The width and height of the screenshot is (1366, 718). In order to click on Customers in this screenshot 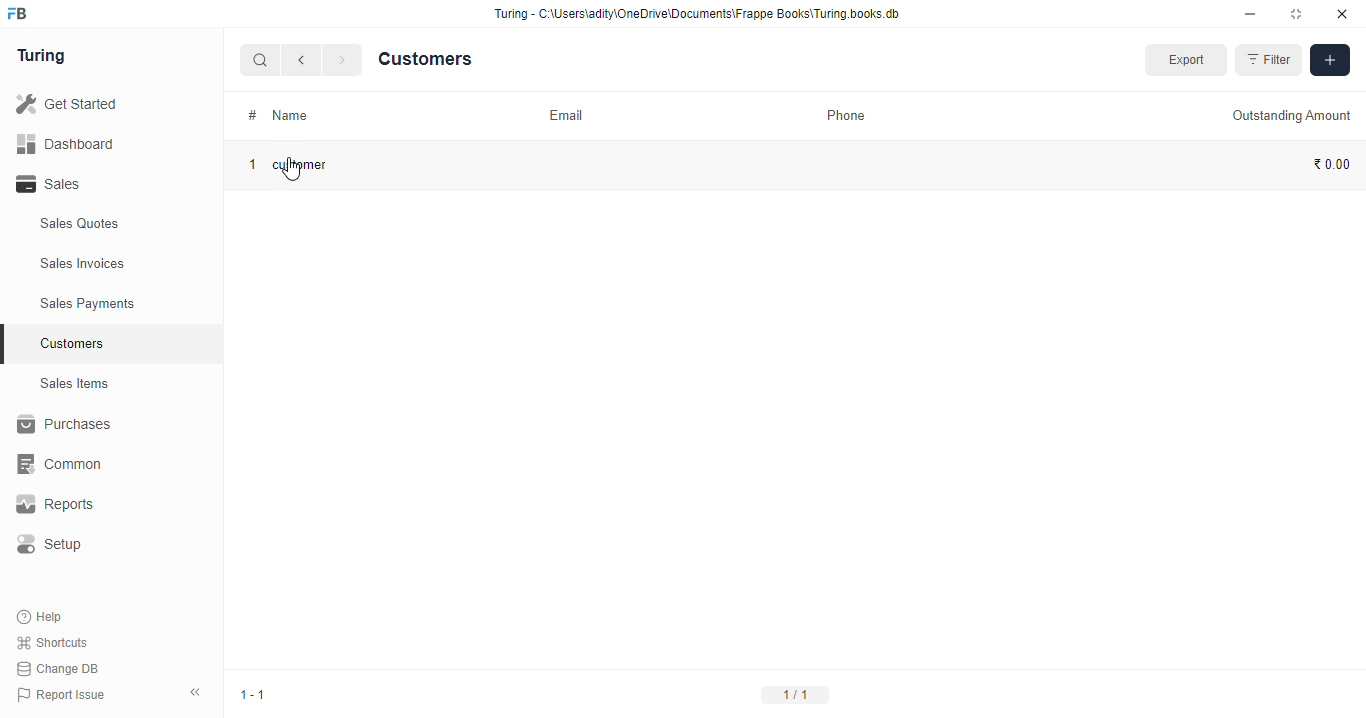, I will do `click(442, 58)`.